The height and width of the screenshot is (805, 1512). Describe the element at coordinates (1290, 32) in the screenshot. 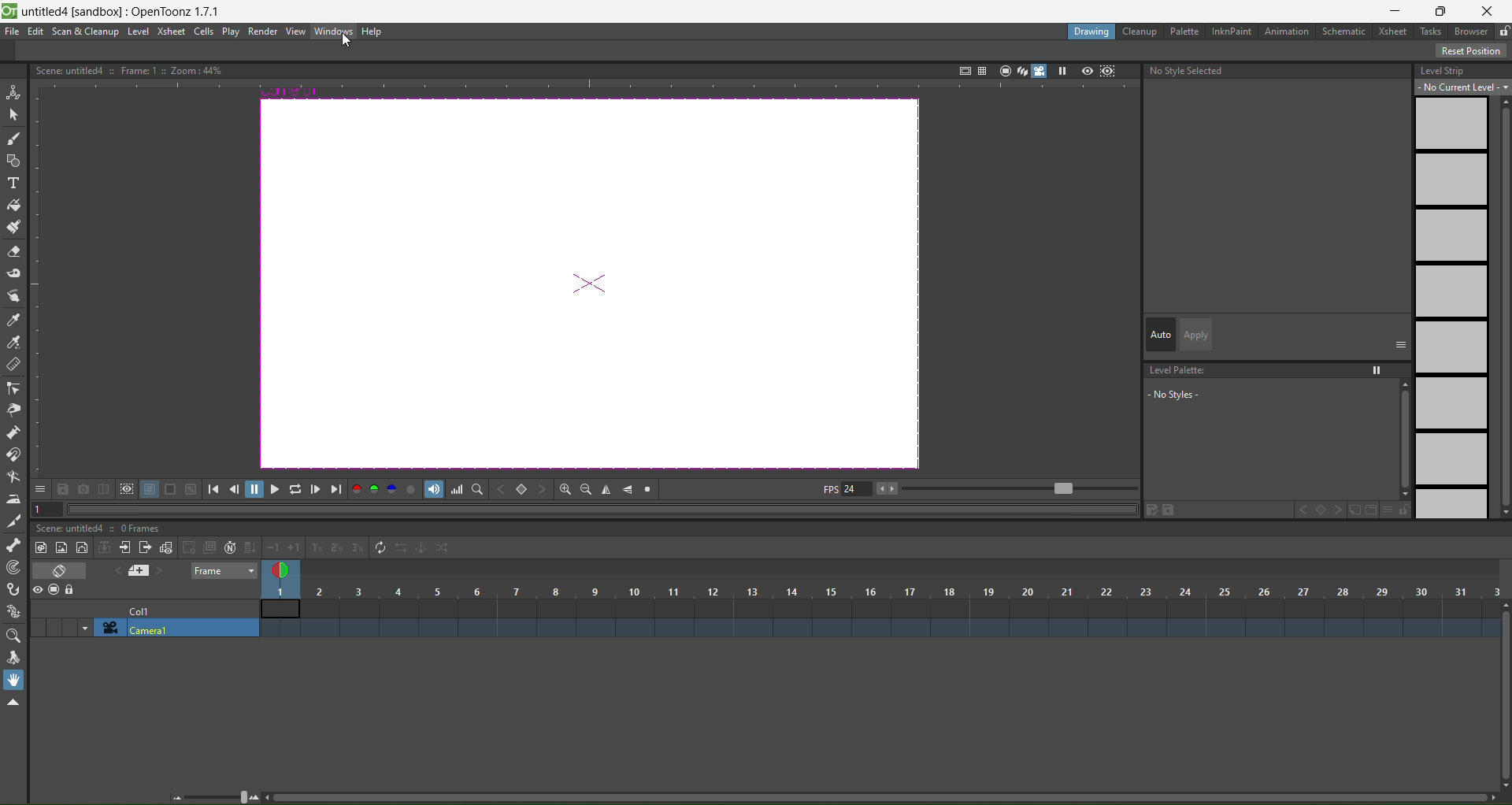

I see `animation` at that location.